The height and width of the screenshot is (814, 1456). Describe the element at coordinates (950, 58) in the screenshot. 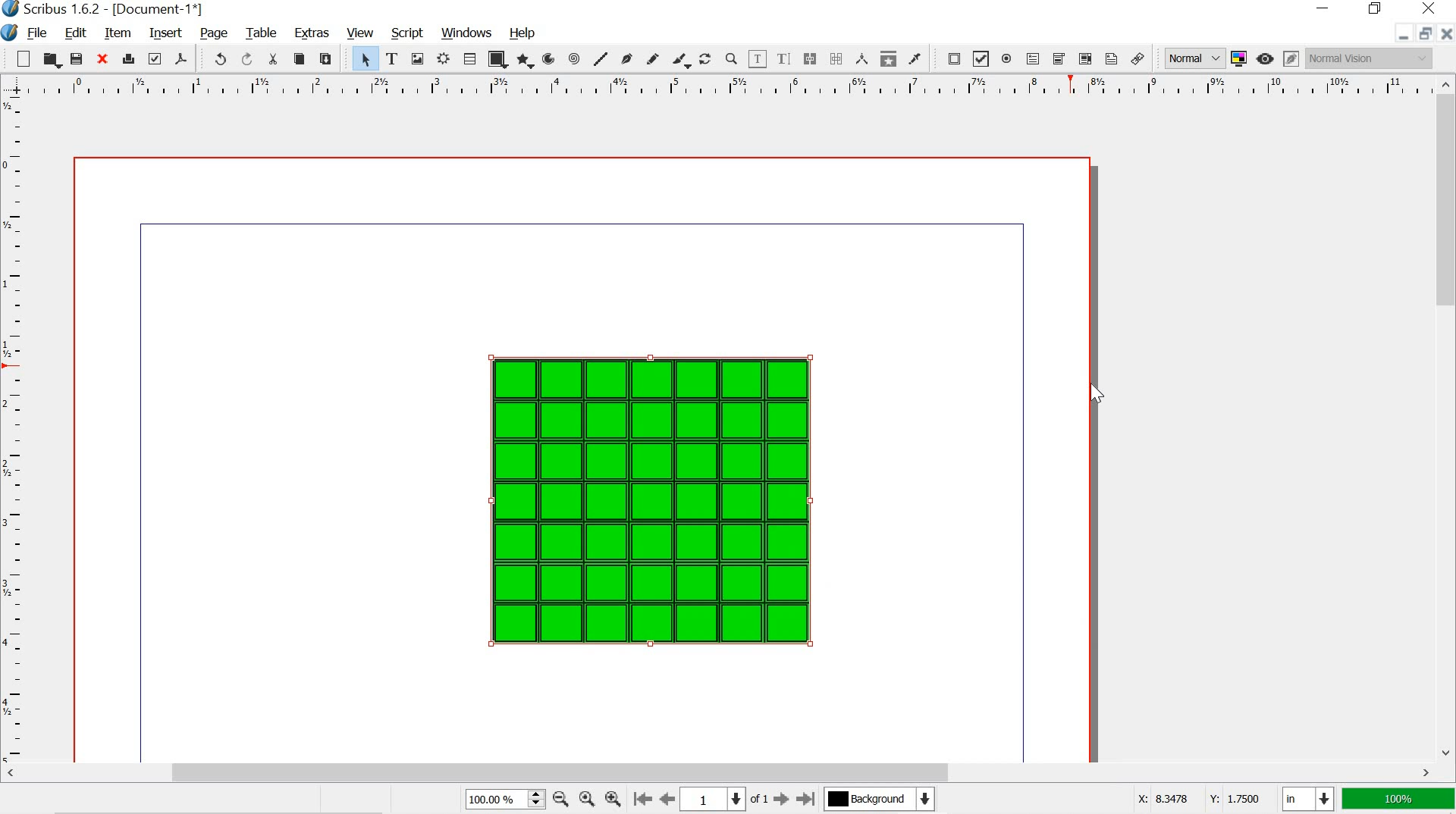

I see `pdf push button` at that location.